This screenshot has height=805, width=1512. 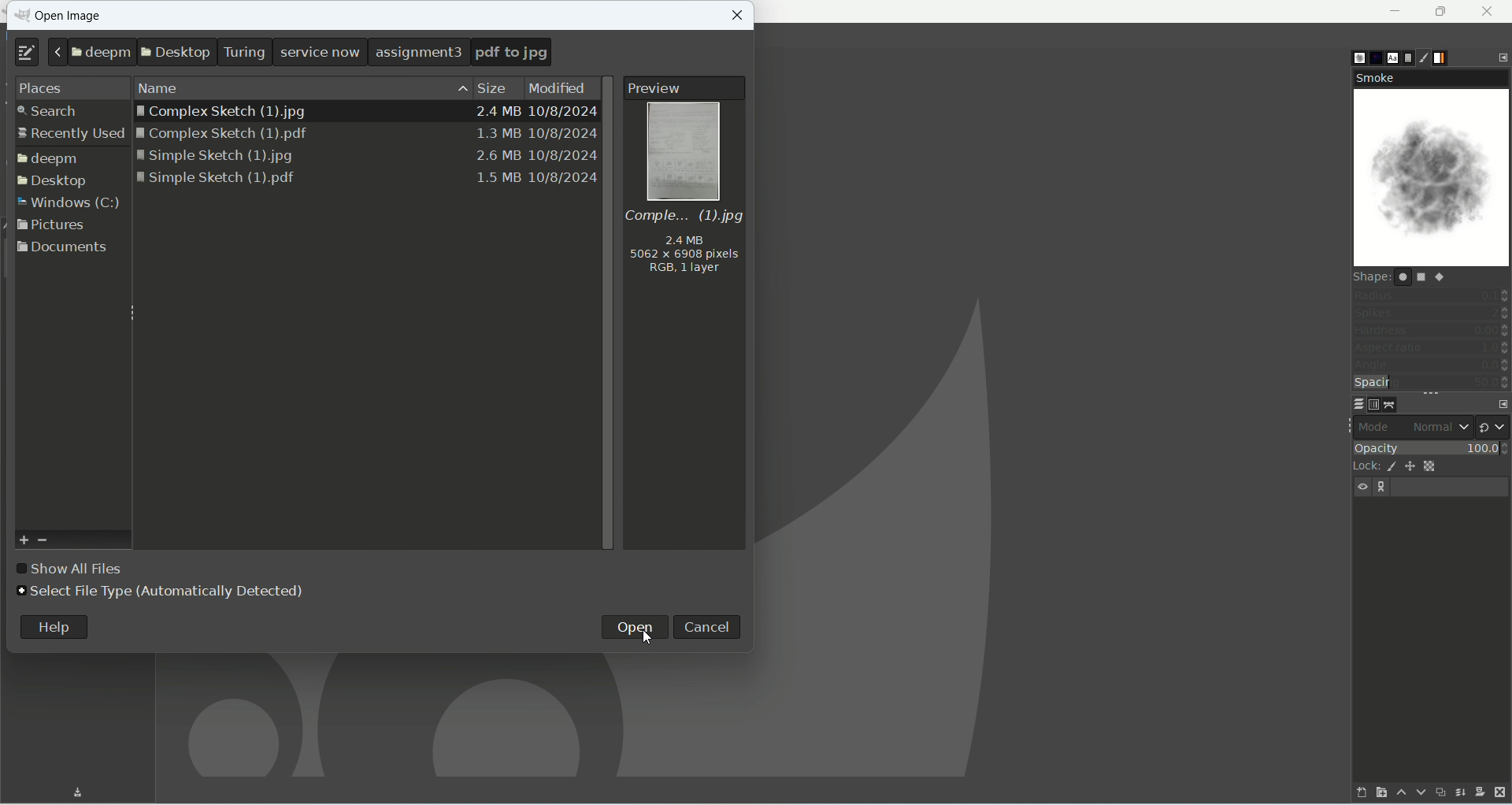 I want to click on radius, so click(x=1432, y=295).